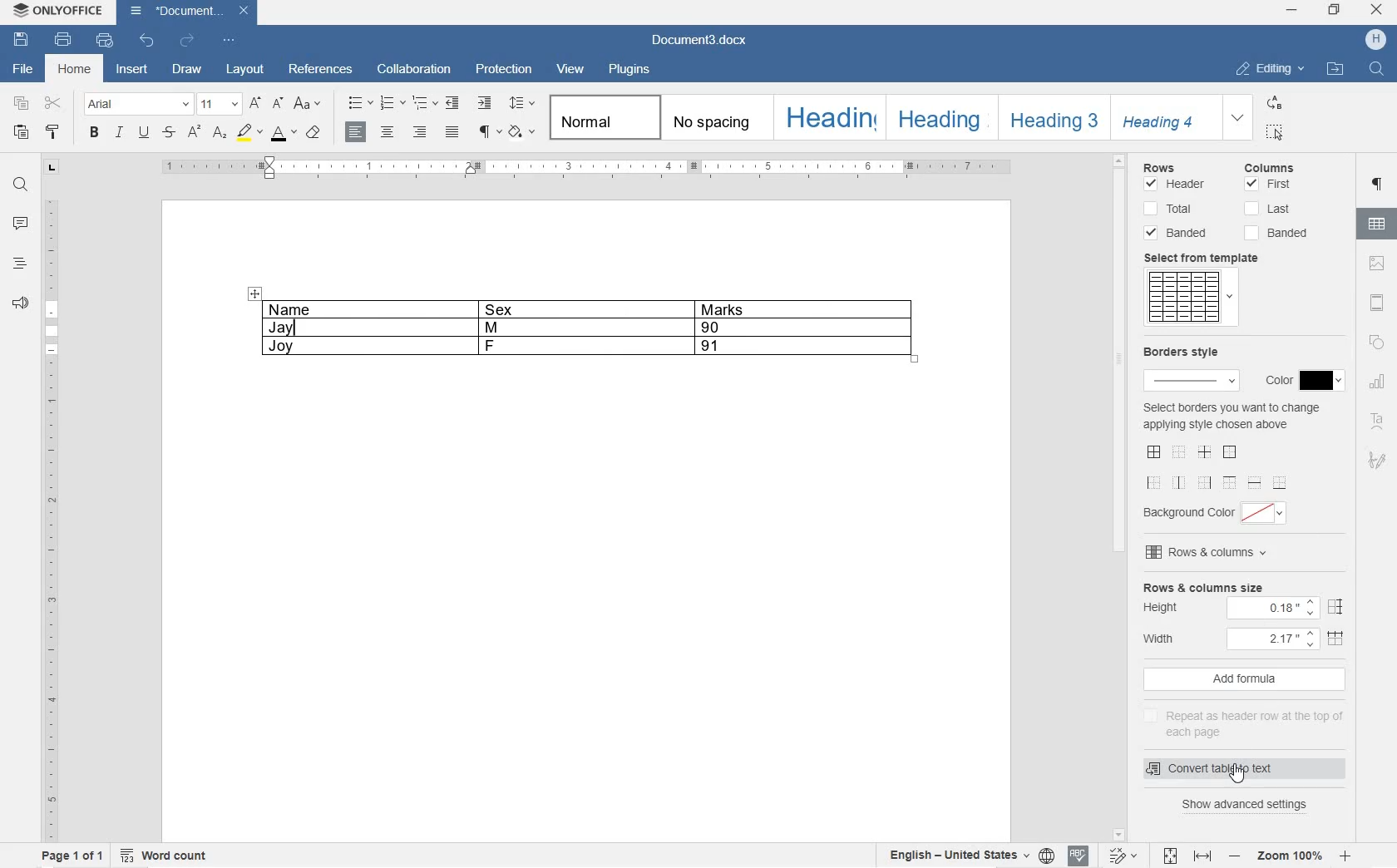 The height and width of the screenshot is (868, 1397). Describe the element at coordinates (1179, 450) in the screenshot. I see `set no borders` at that location.